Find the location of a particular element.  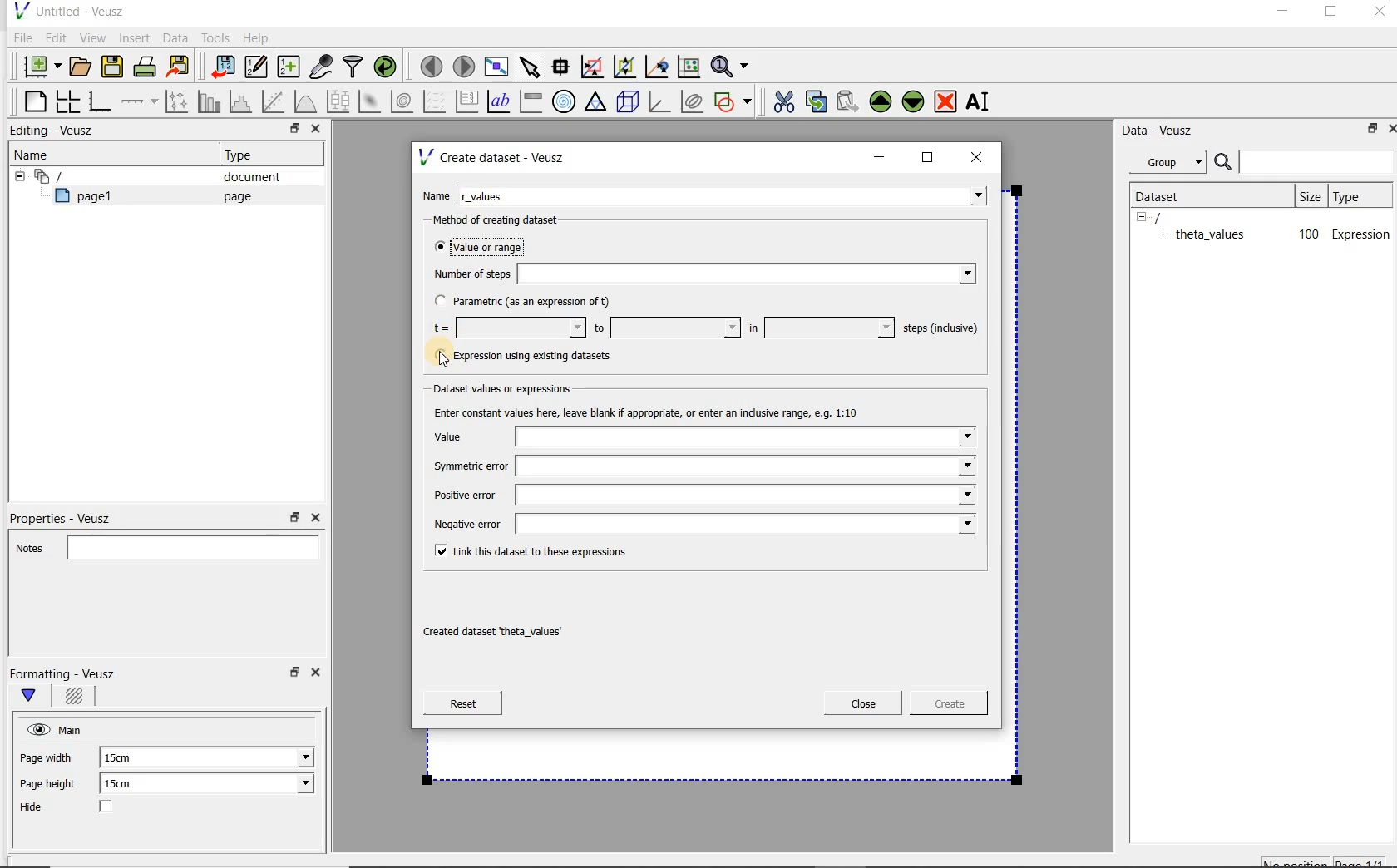

image color bar is located at coordinates (531, 101).